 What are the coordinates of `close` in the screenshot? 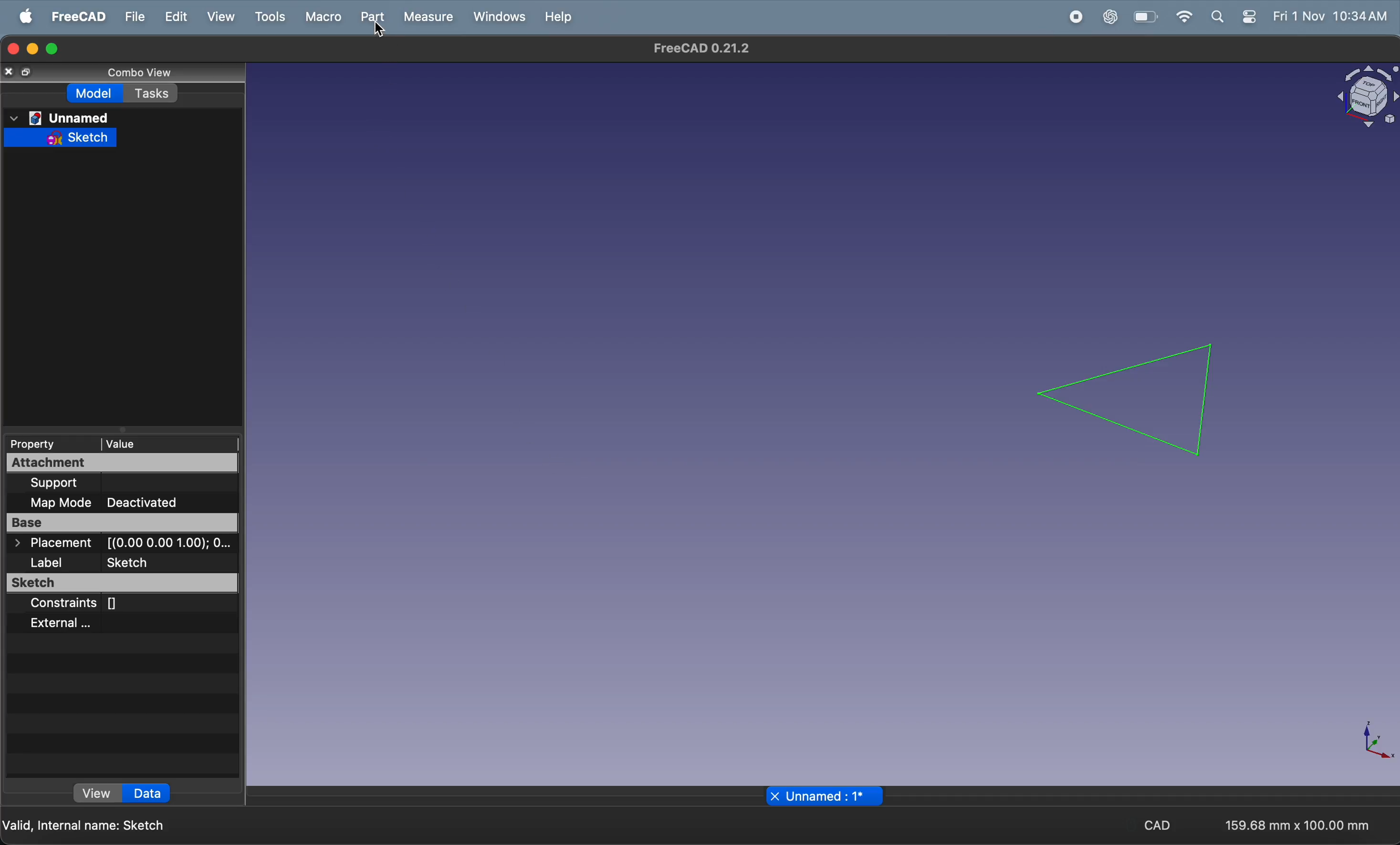 It's located at (10, 71).